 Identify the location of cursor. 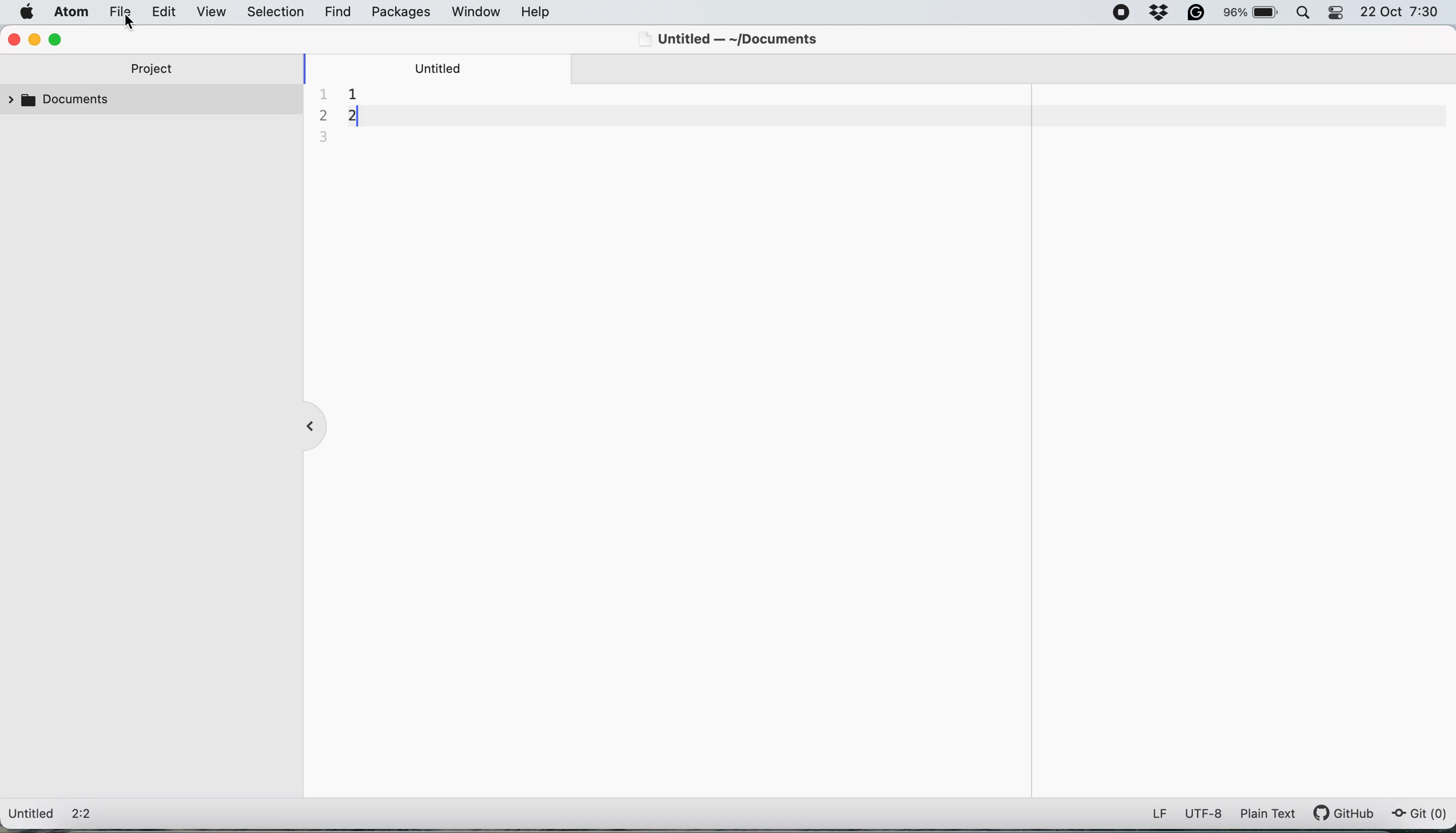
(135, 22).